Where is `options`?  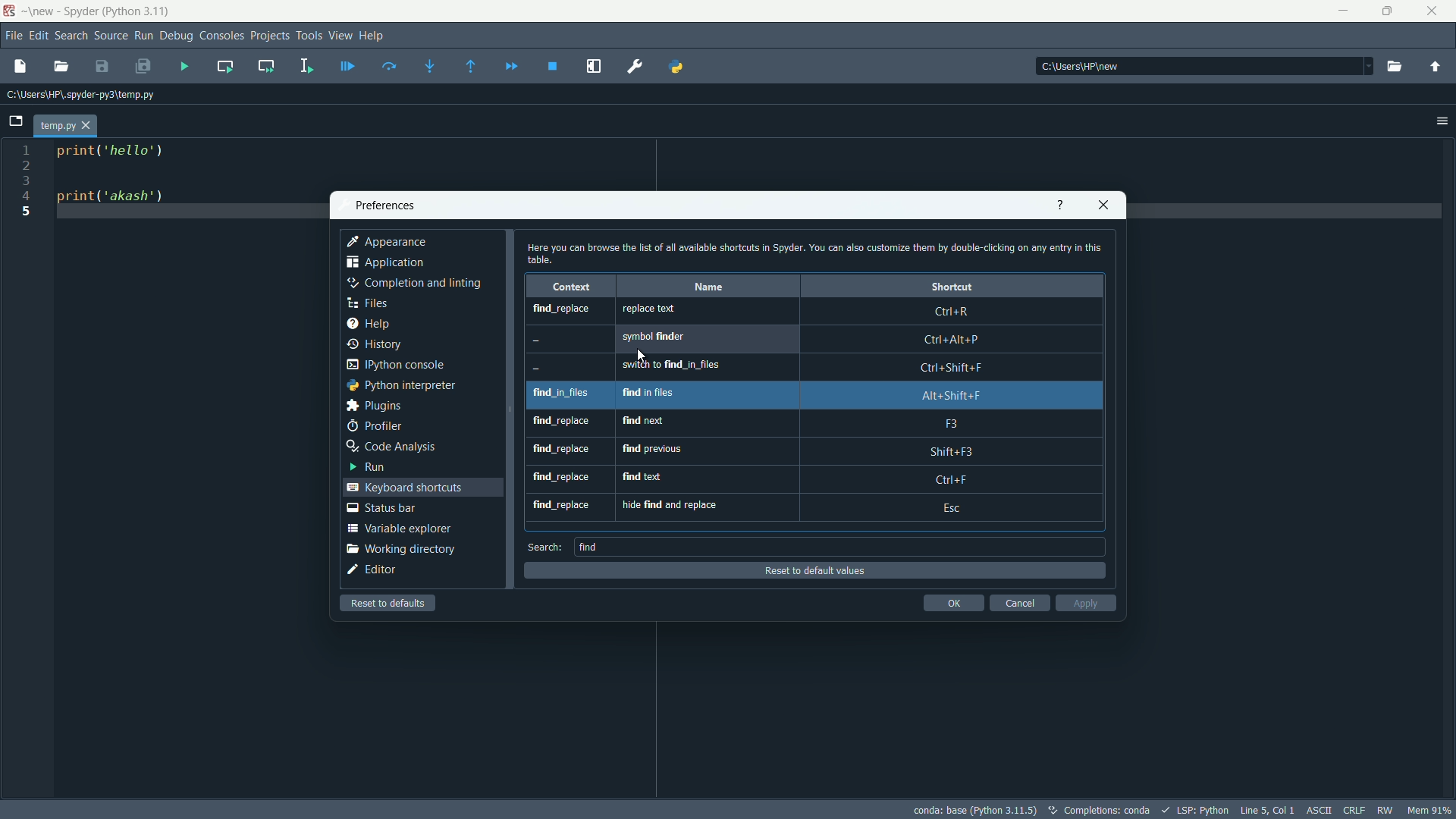 options is located at coordinates (1439, 119).